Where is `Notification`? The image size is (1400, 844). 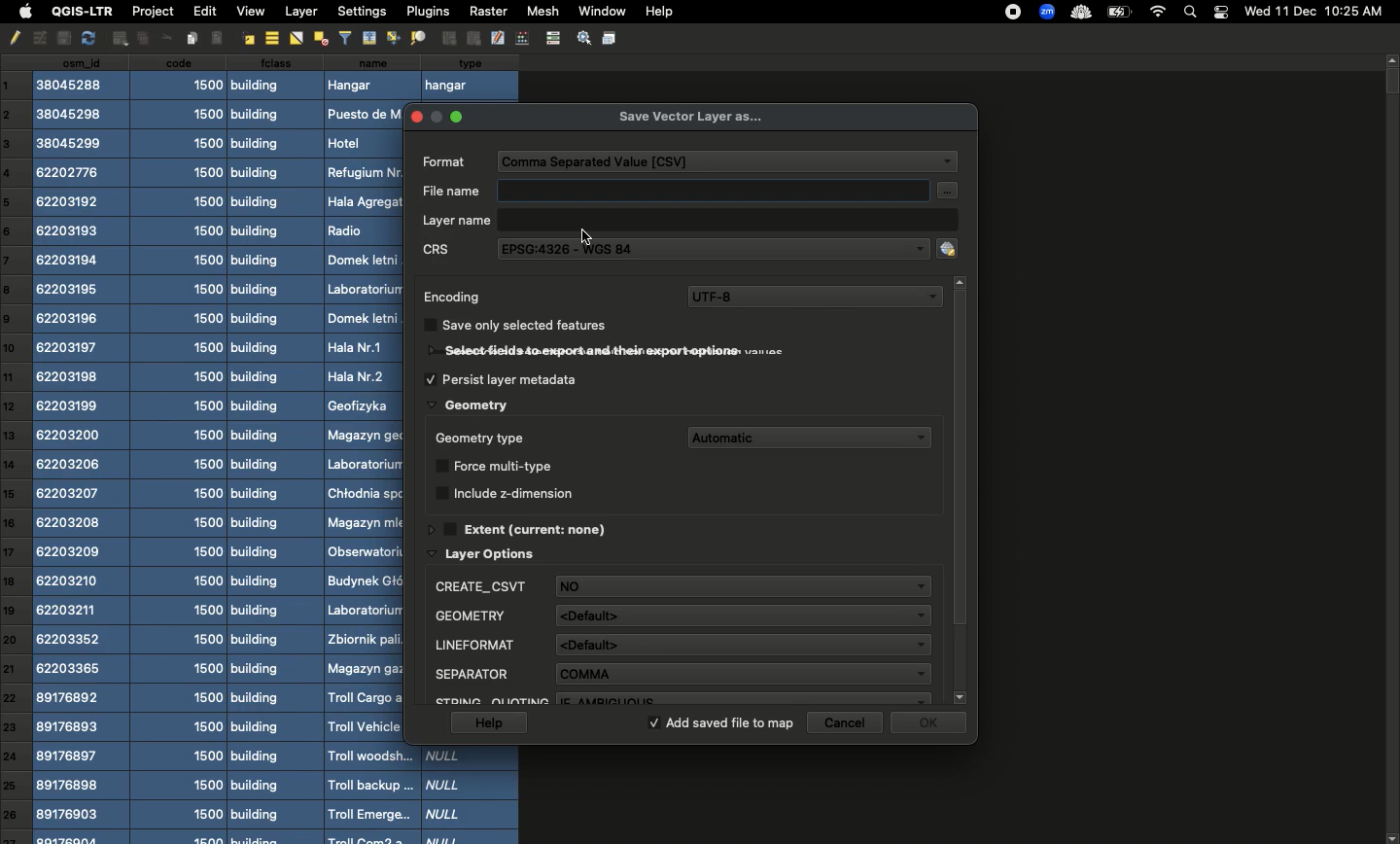 Notification is located at coordinates (1220, 11).